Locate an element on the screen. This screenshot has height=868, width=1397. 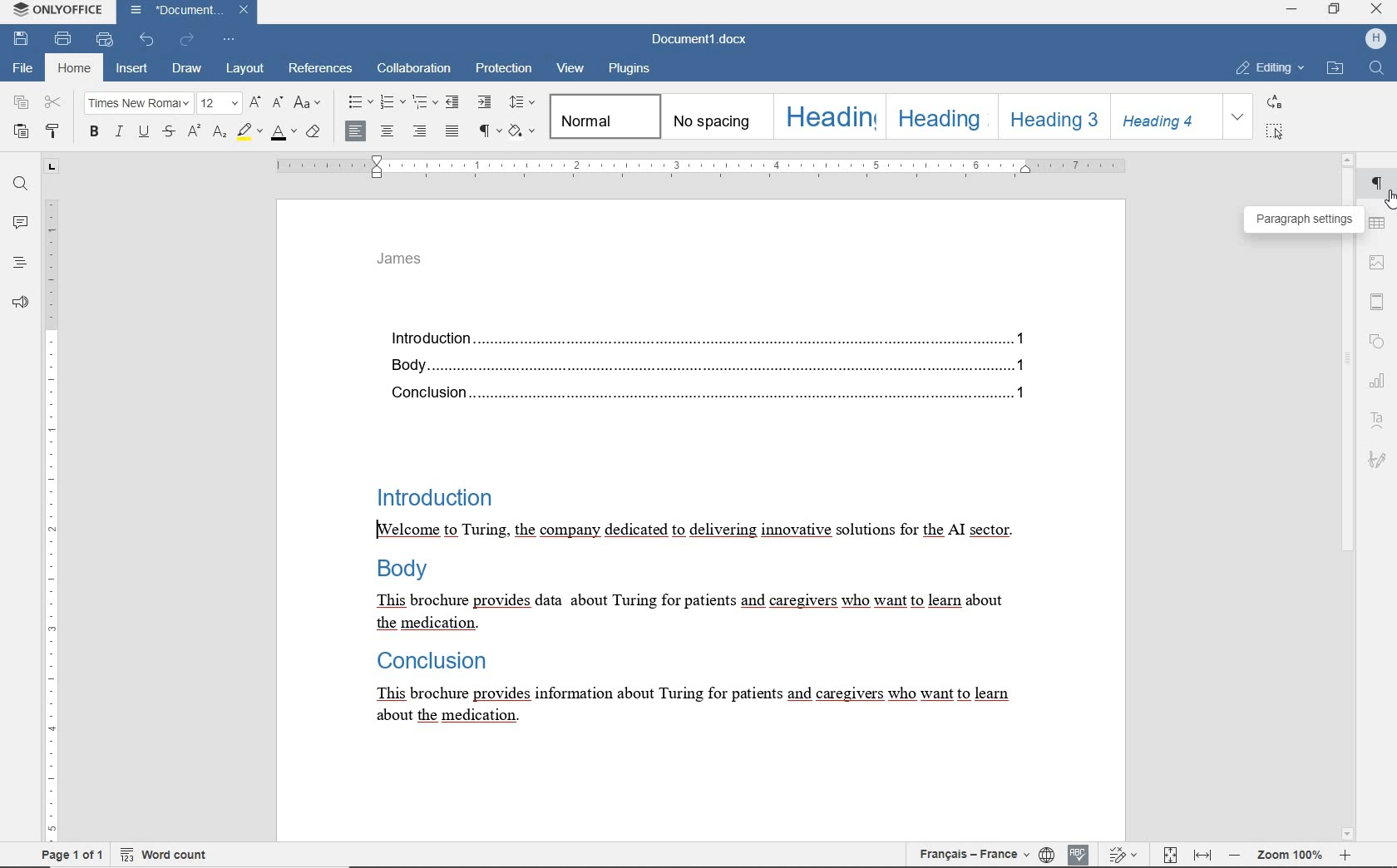
font size is located at coordinates (220, 104).